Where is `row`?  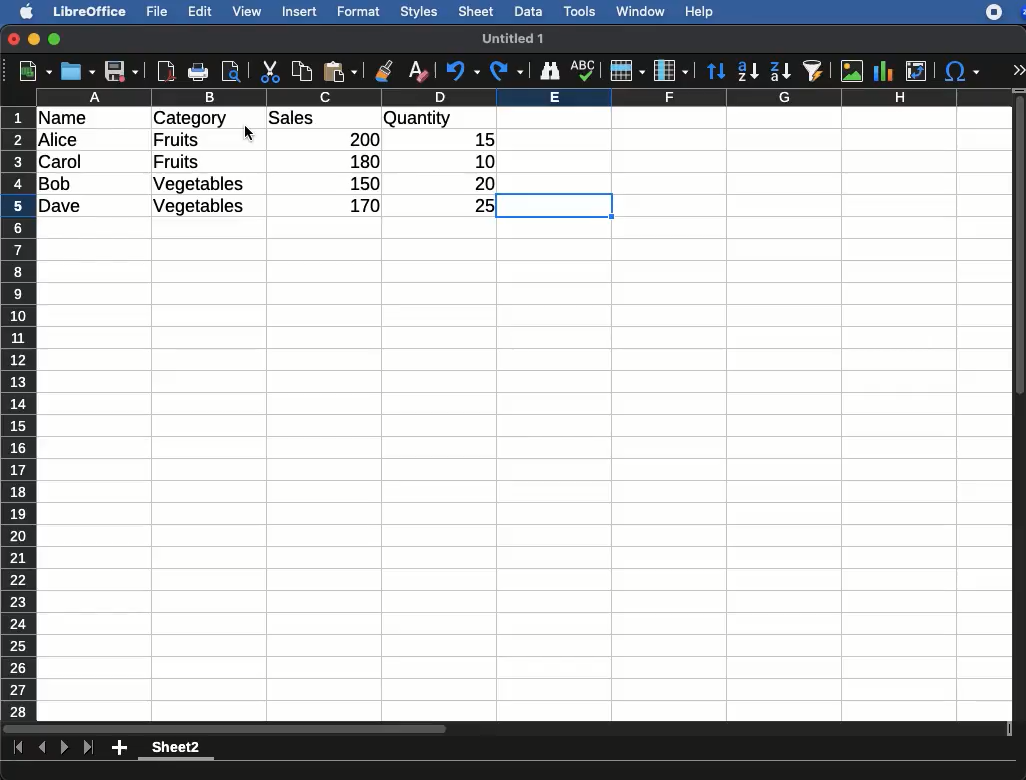 row is located at coordinates (20, 413).